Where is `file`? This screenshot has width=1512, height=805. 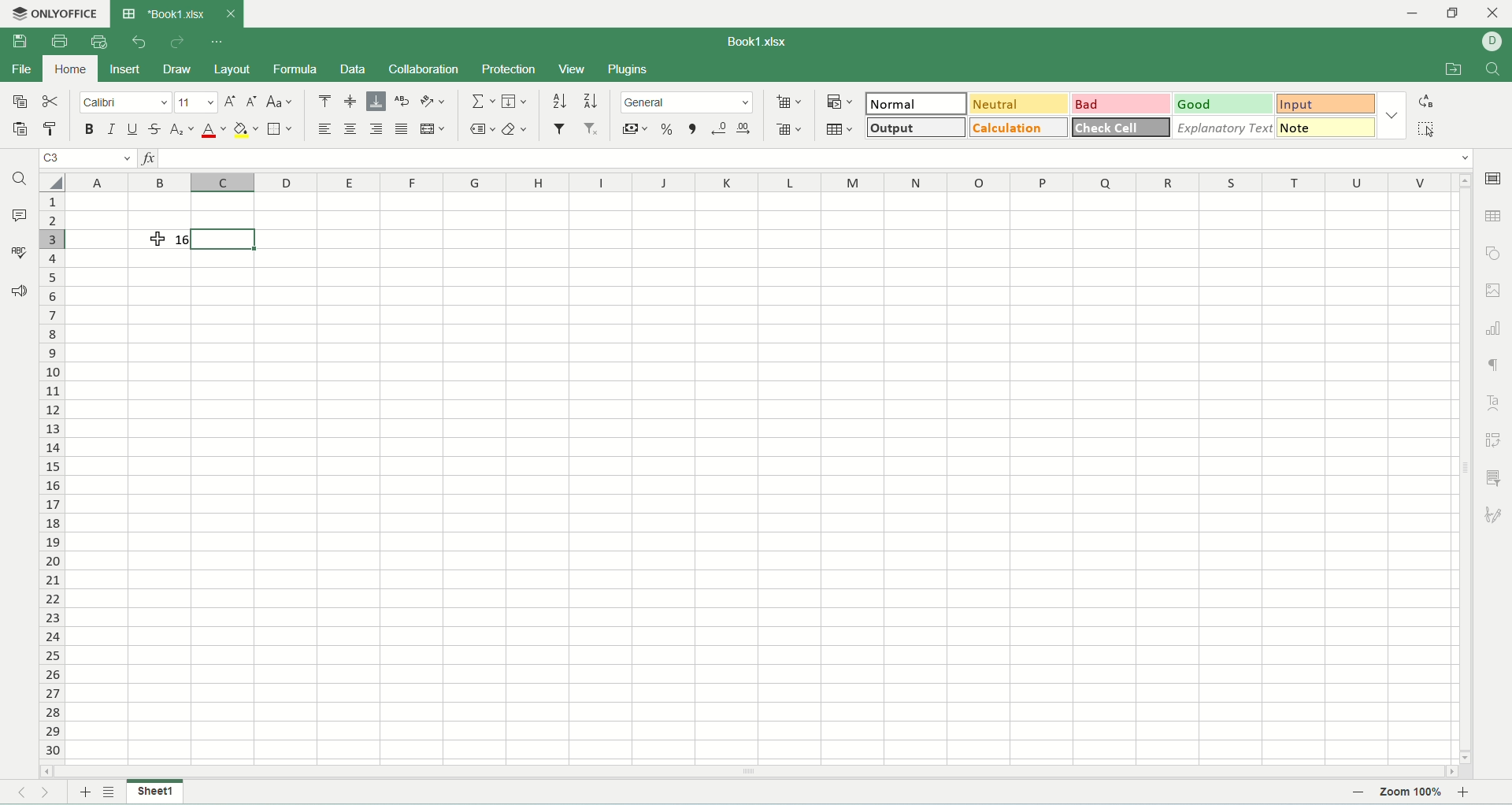
file is located at coordinates (20, 70).